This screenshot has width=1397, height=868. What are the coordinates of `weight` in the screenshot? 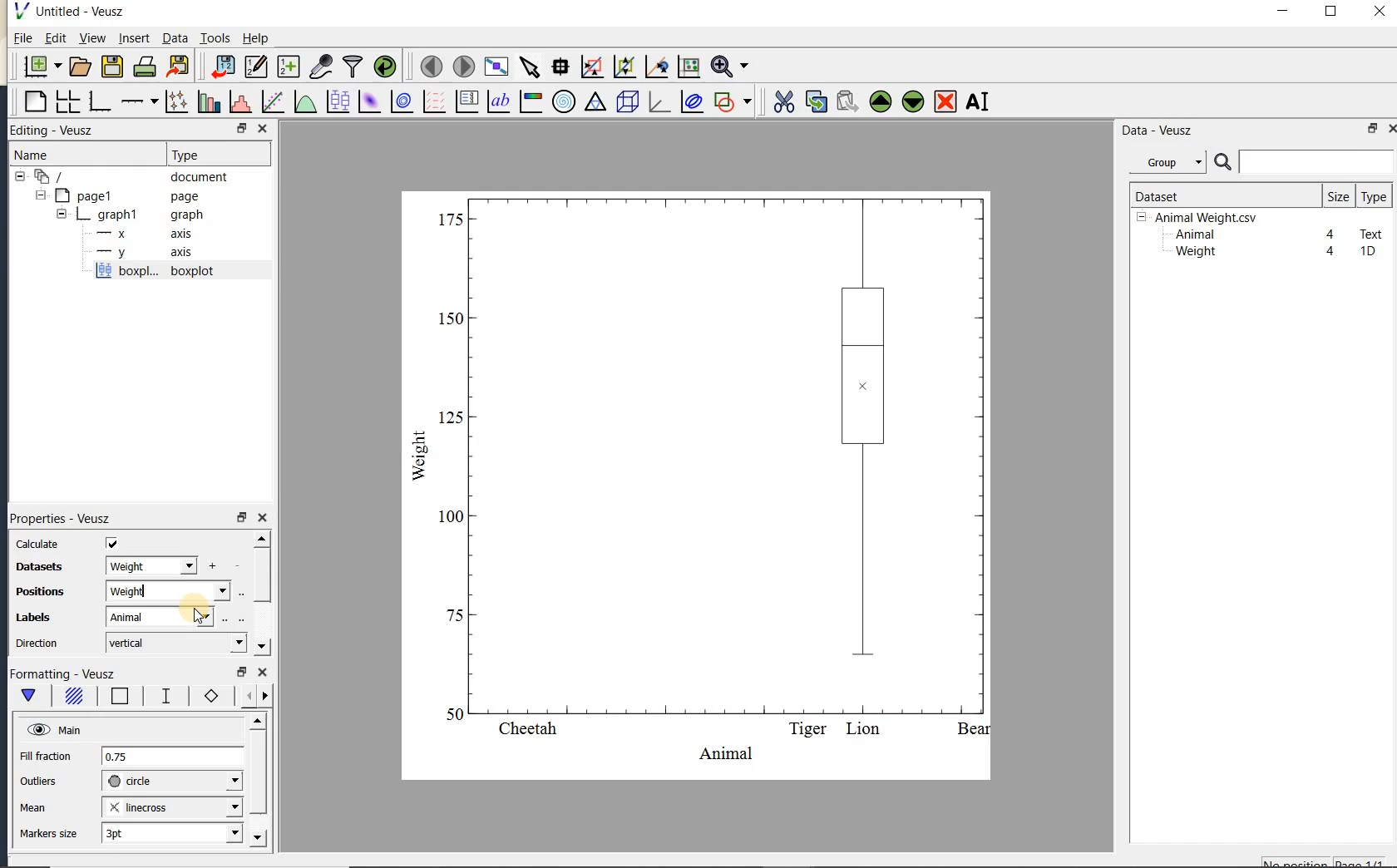 It's located at (153, 566).